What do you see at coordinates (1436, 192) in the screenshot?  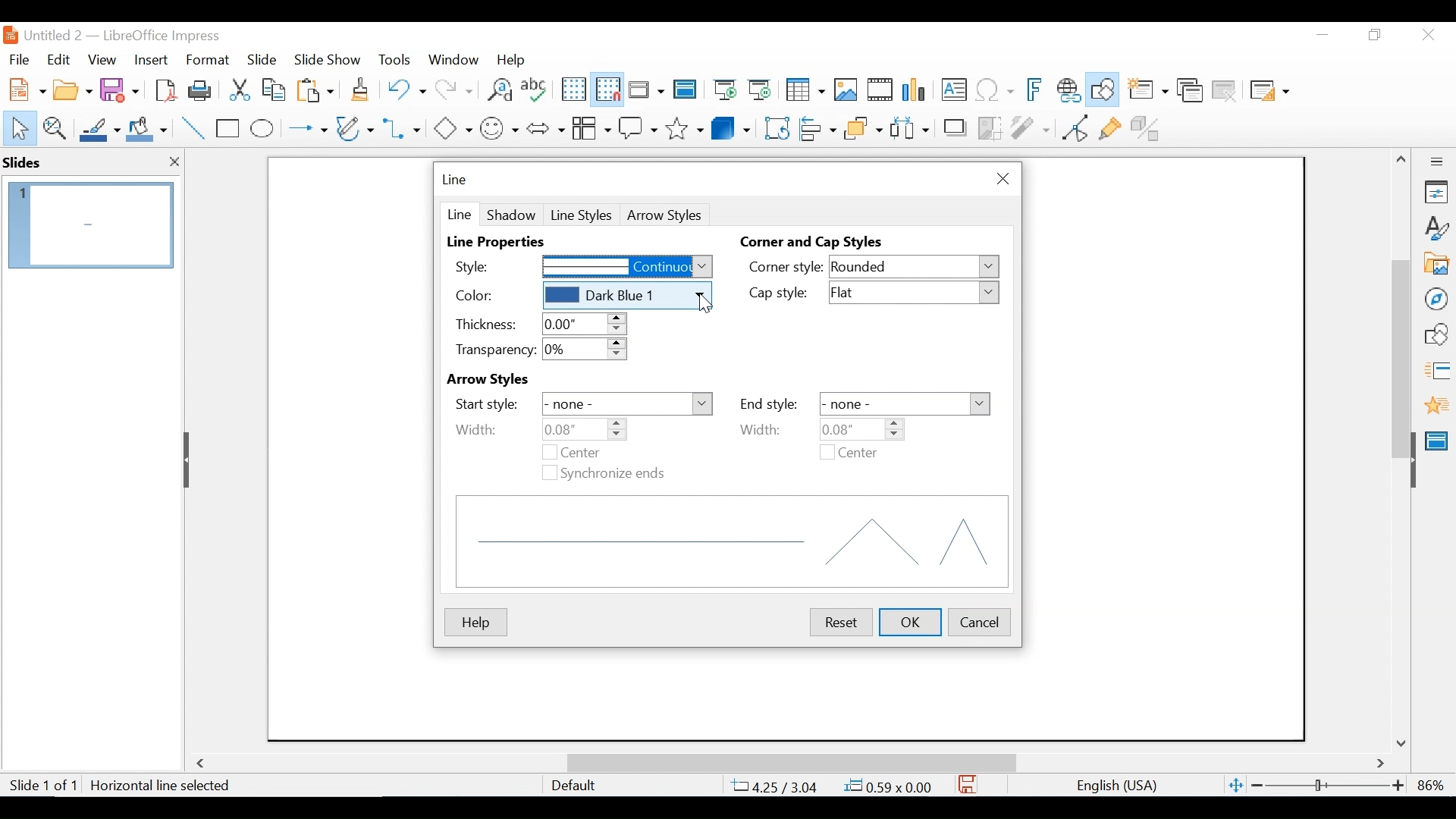 I see `Properties` at bounding box center [1436, 192].